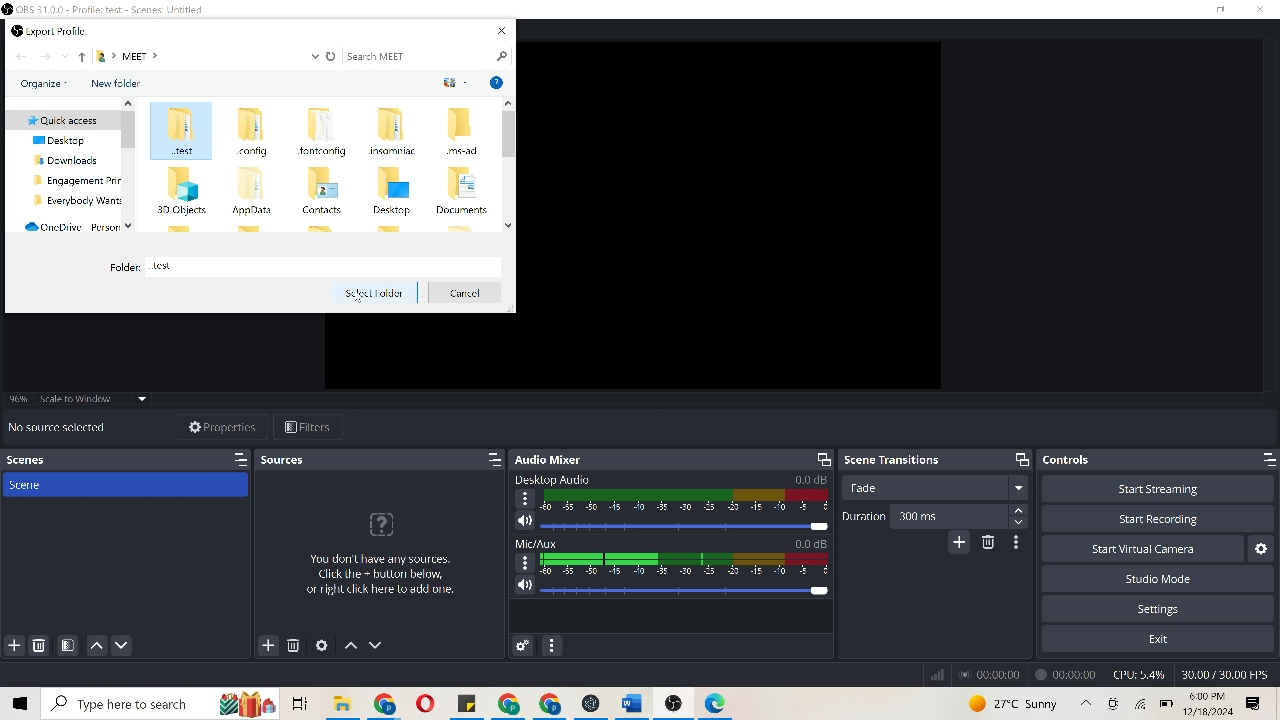 The height and width of the screenshot is (720, 1280). I want to click on Close, so click(500, 30).